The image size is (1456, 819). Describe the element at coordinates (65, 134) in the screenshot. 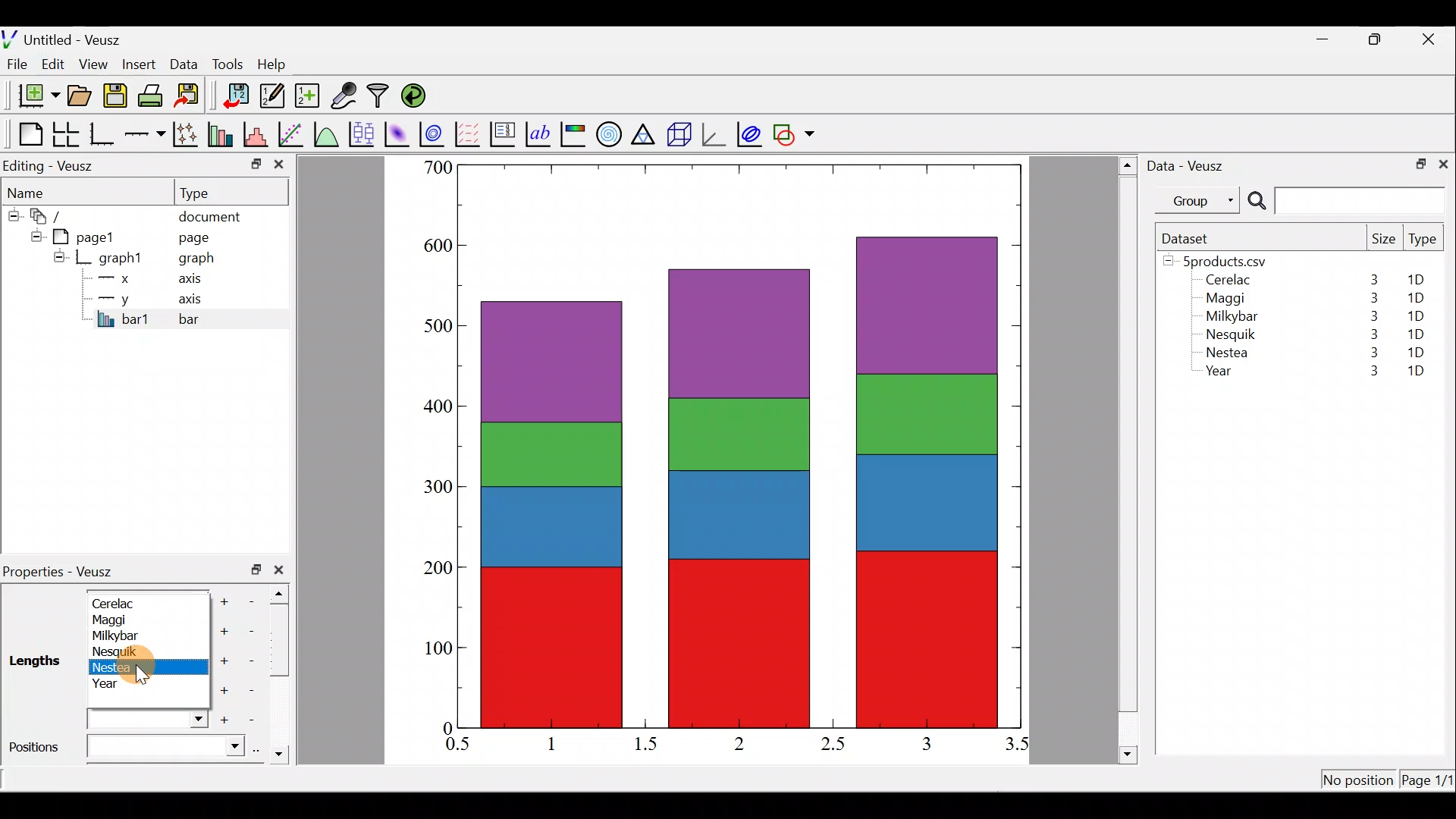

I see `Arrange graphs in a grid` at that location.